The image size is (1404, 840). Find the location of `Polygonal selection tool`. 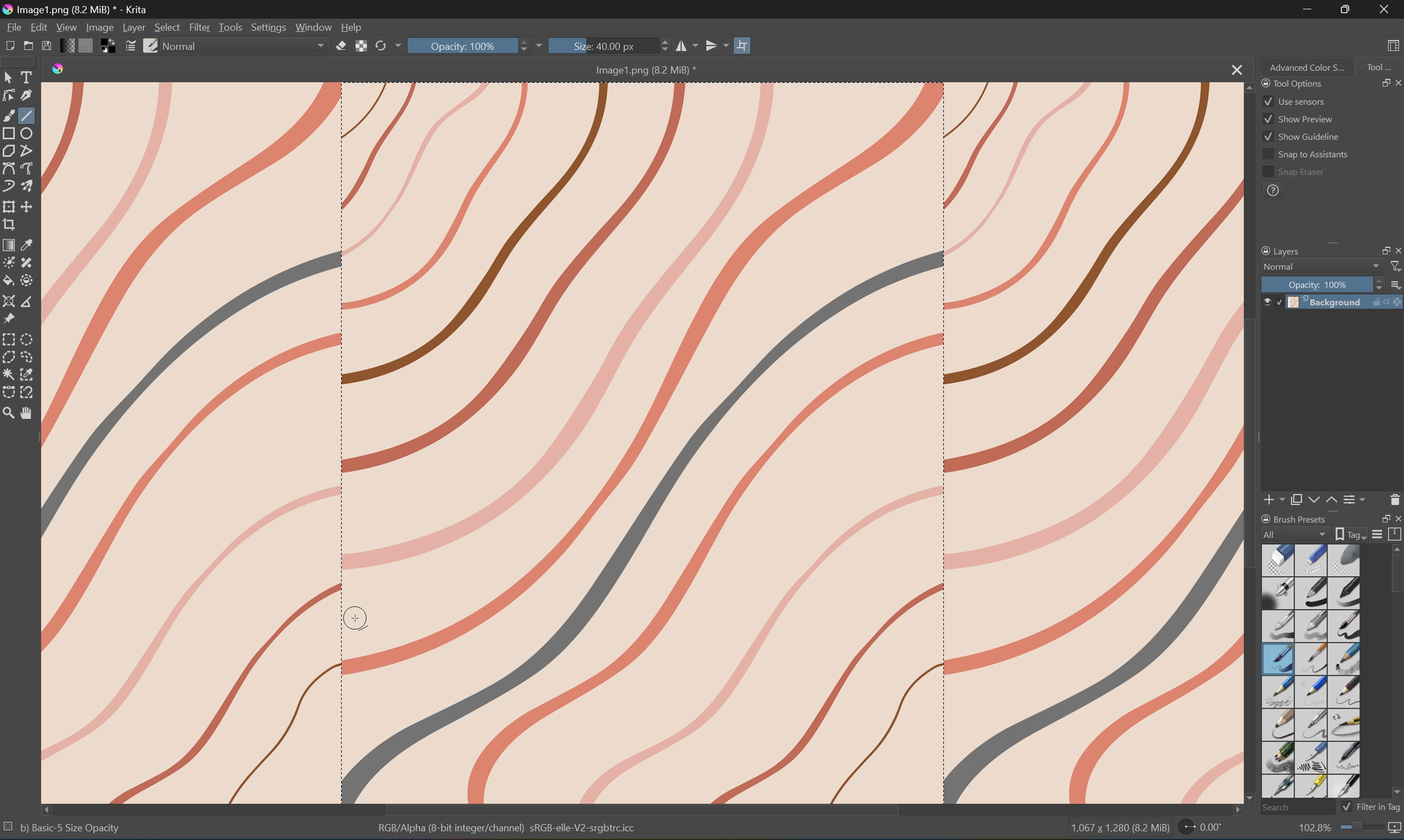

Polygonal selection tool is located at coordinates (9, 357).